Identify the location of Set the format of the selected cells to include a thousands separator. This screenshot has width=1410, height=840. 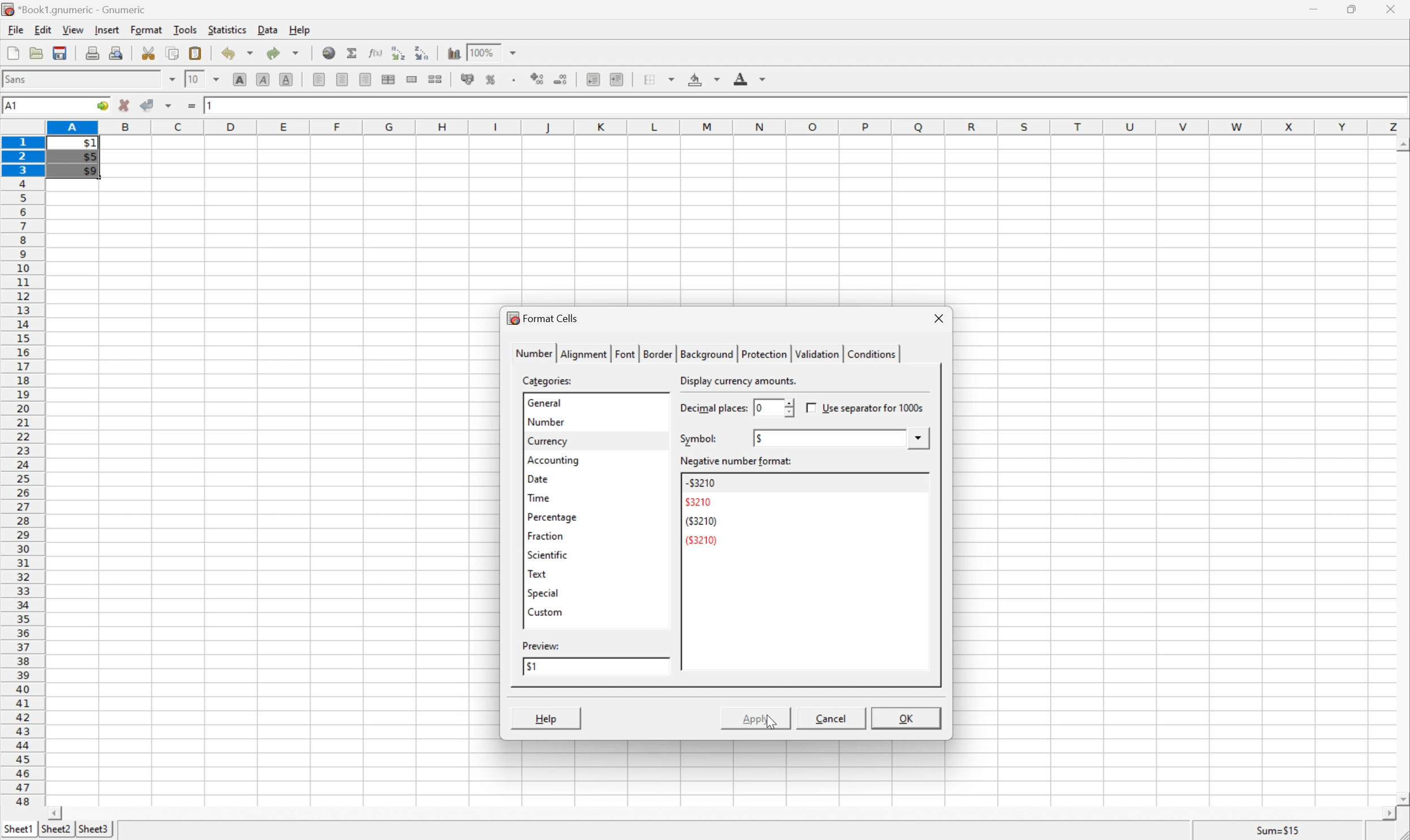
(516, 80).